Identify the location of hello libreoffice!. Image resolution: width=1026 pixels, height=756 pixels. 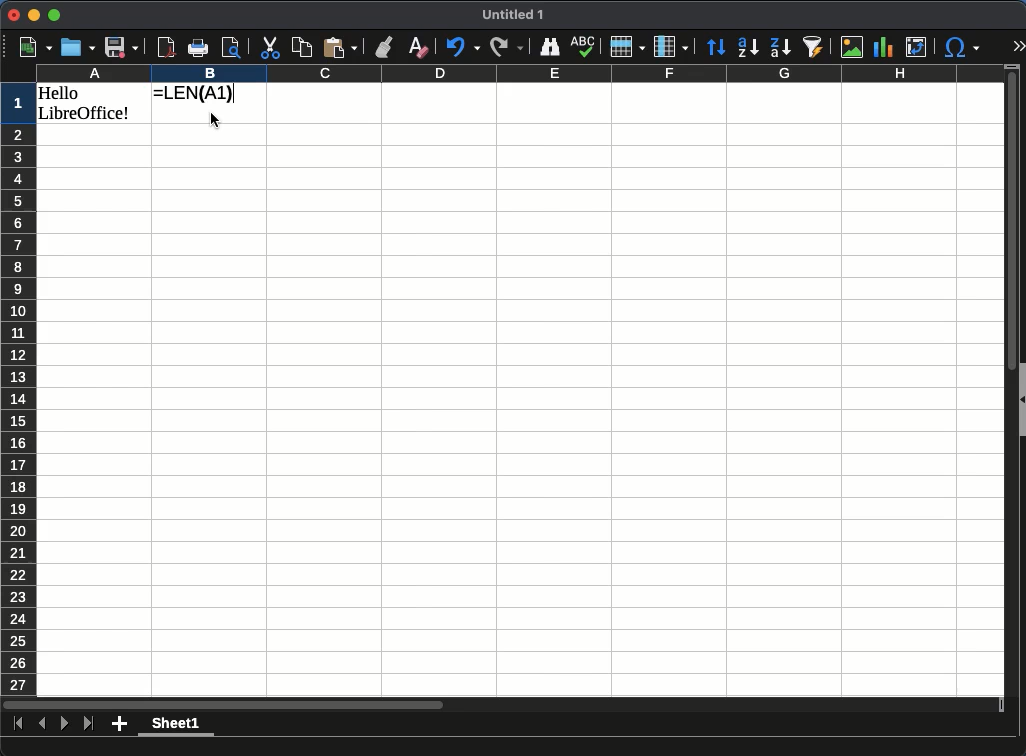
(88, 103).